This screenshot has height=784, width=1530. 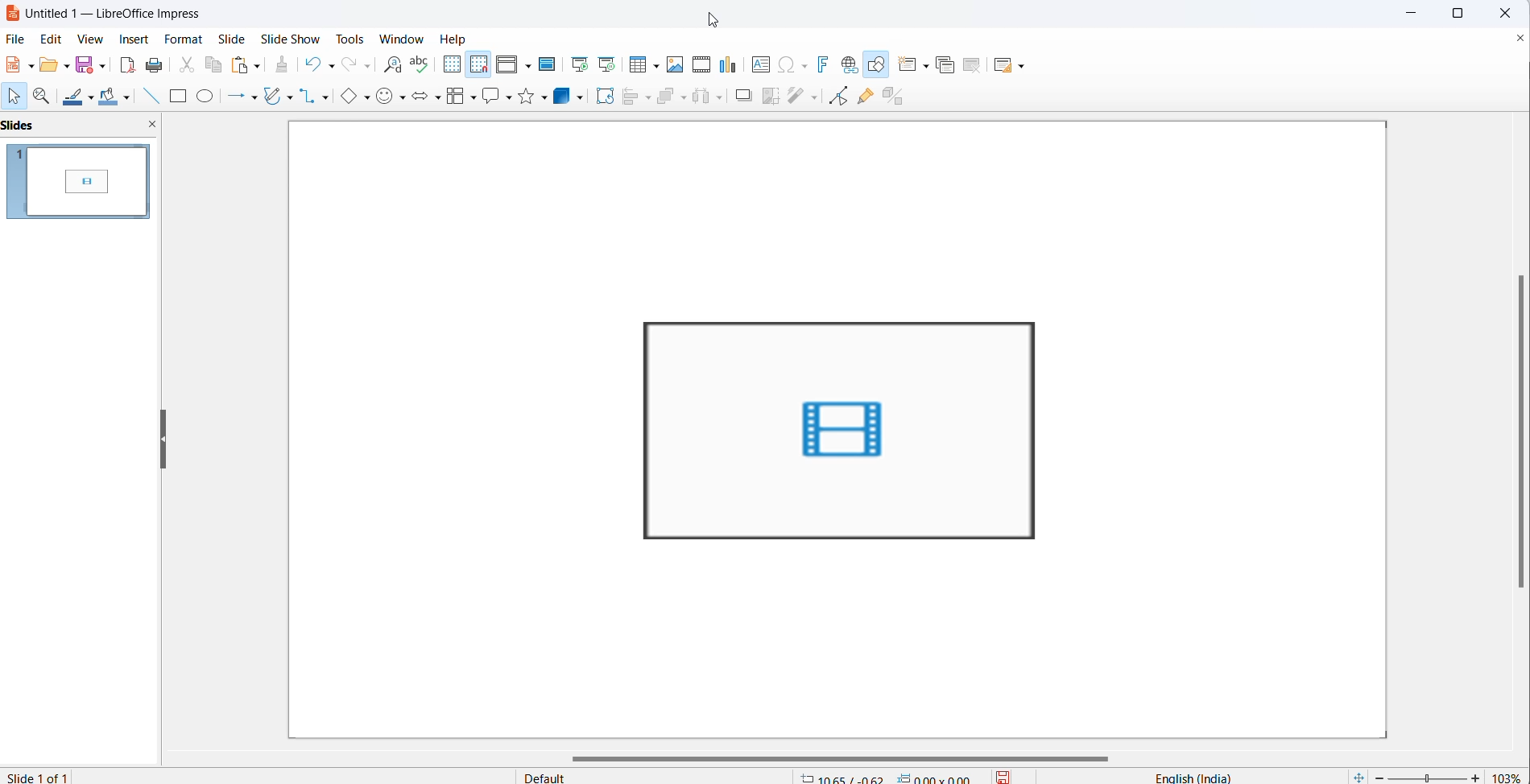 I want to click on format, so click(x=184, y=38).